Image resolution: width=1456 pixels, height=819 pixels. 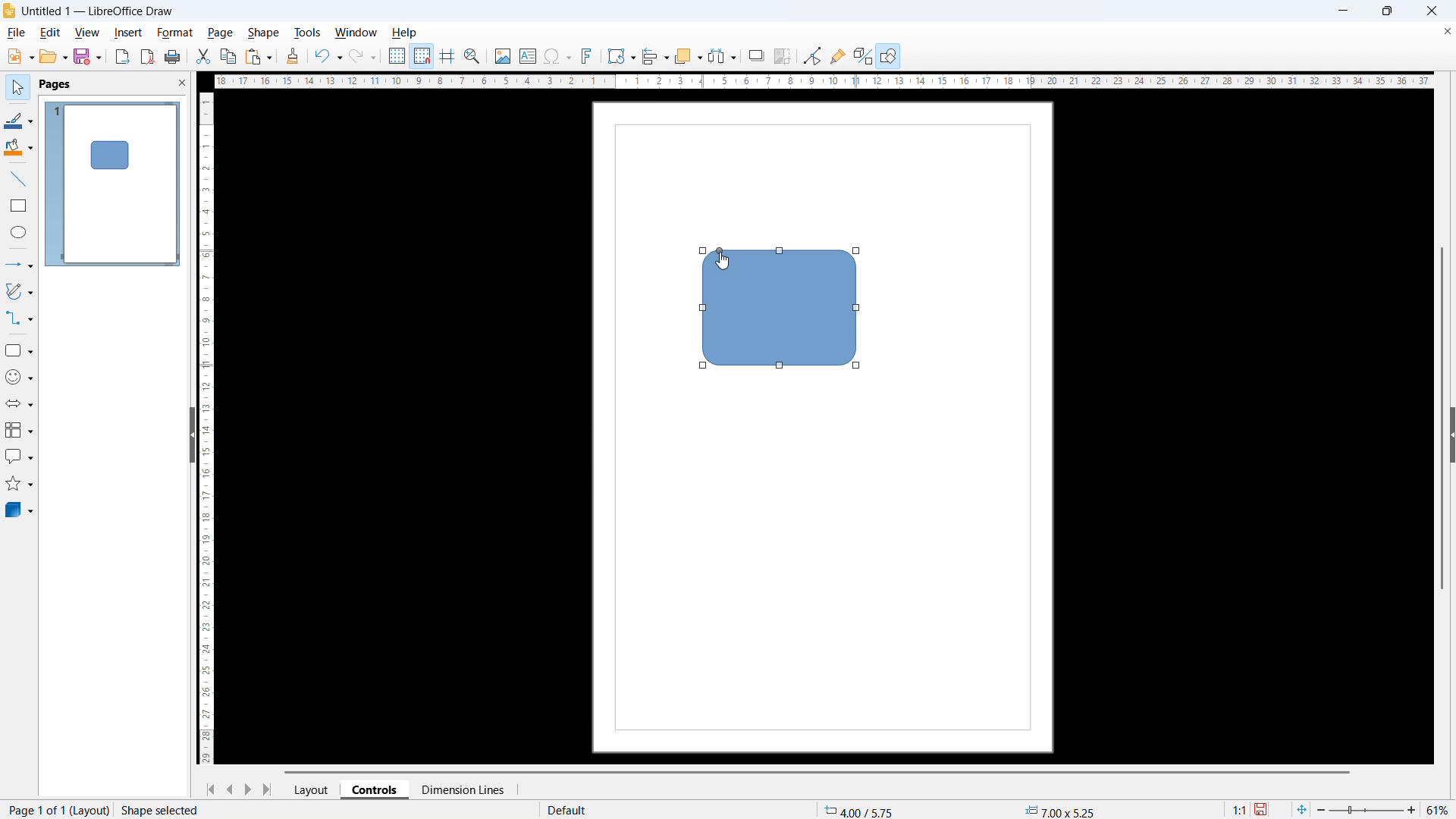 What do you see at coordinates (818, 772) in the screenshot?
I see `Horizontal scroll bar ` at bounding box center [818, 772].